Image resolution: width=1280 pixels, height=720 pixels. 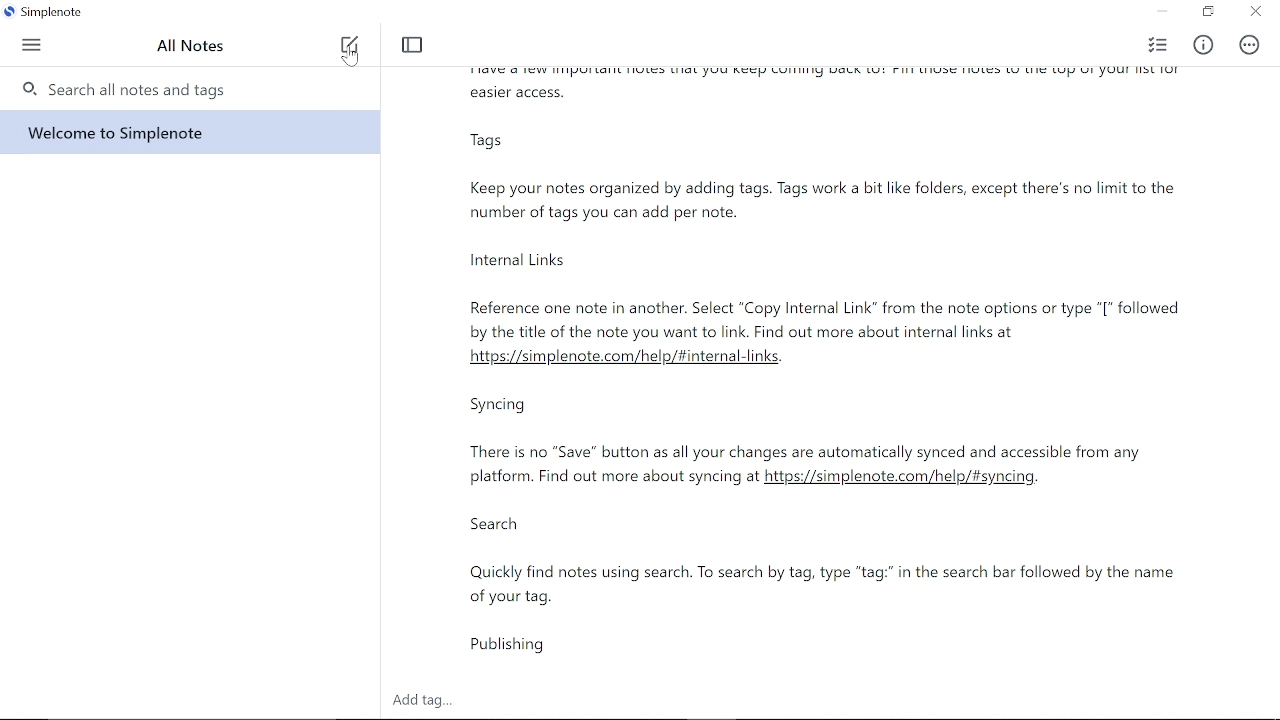 What do you see at coordinates (1206, 44) in the screenshot?
I see `Info` at bounding box center [1206, 44].